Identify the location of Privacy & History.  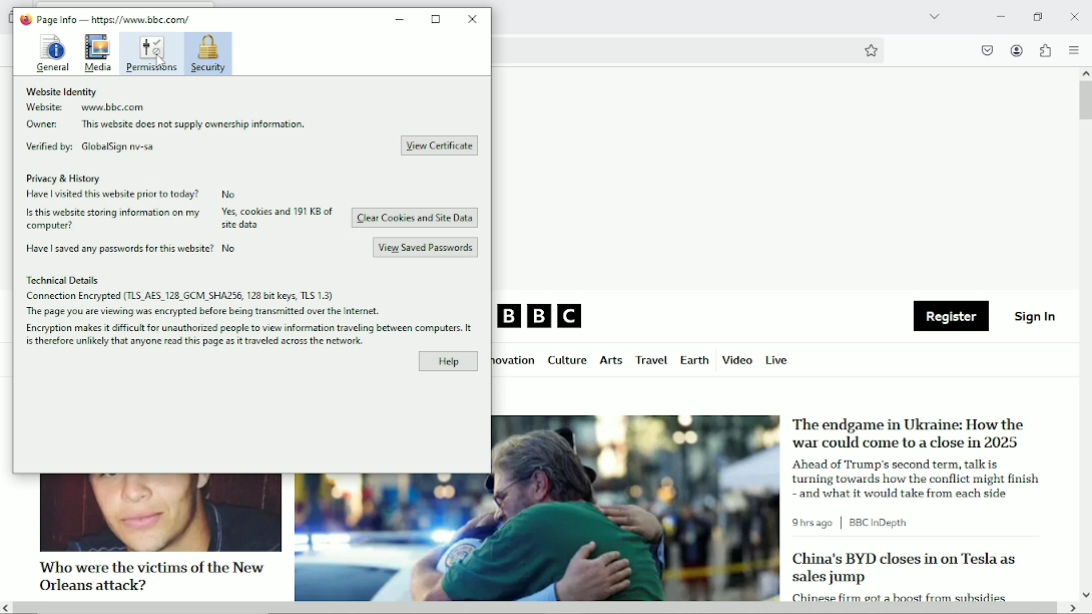
(76, 177).